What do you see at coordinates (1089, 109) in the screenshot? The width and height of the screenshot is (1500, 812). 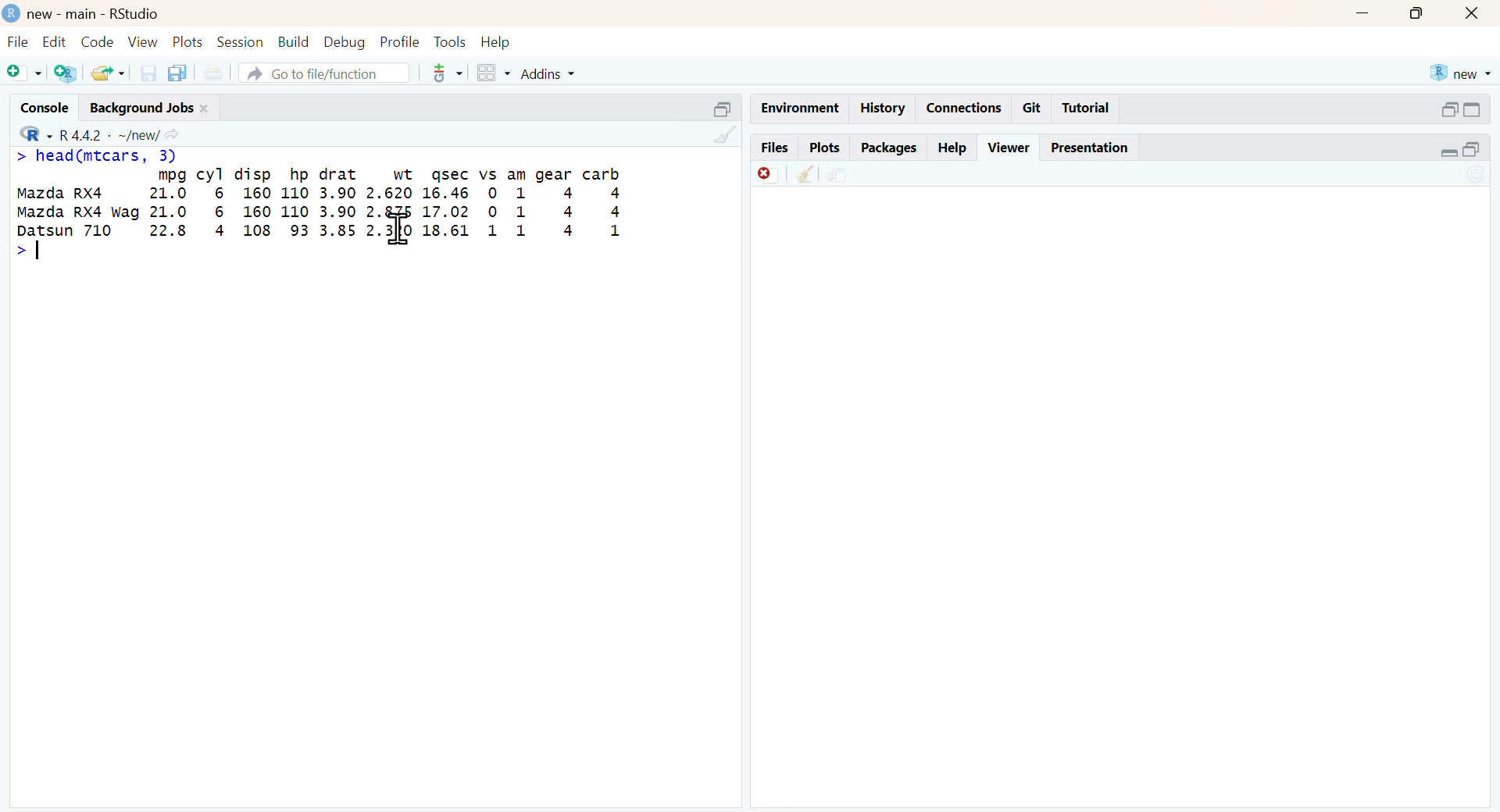 I see `Tutorial` at bounding box center [1089, 109].